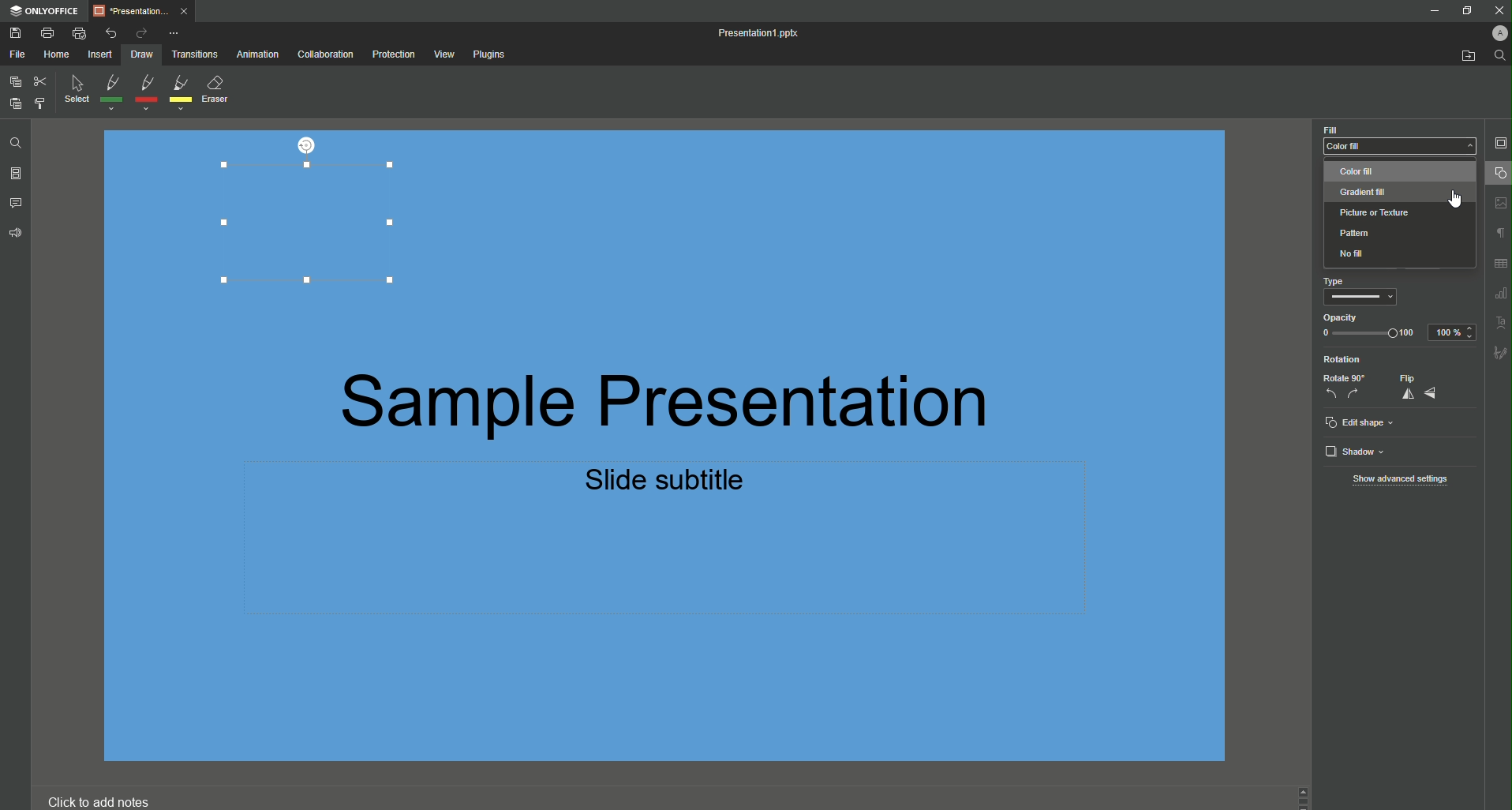 The image size is (1512, 810). Describe the element at coordinates (18, 202) in the screenshot. I see `Comments` at that location.